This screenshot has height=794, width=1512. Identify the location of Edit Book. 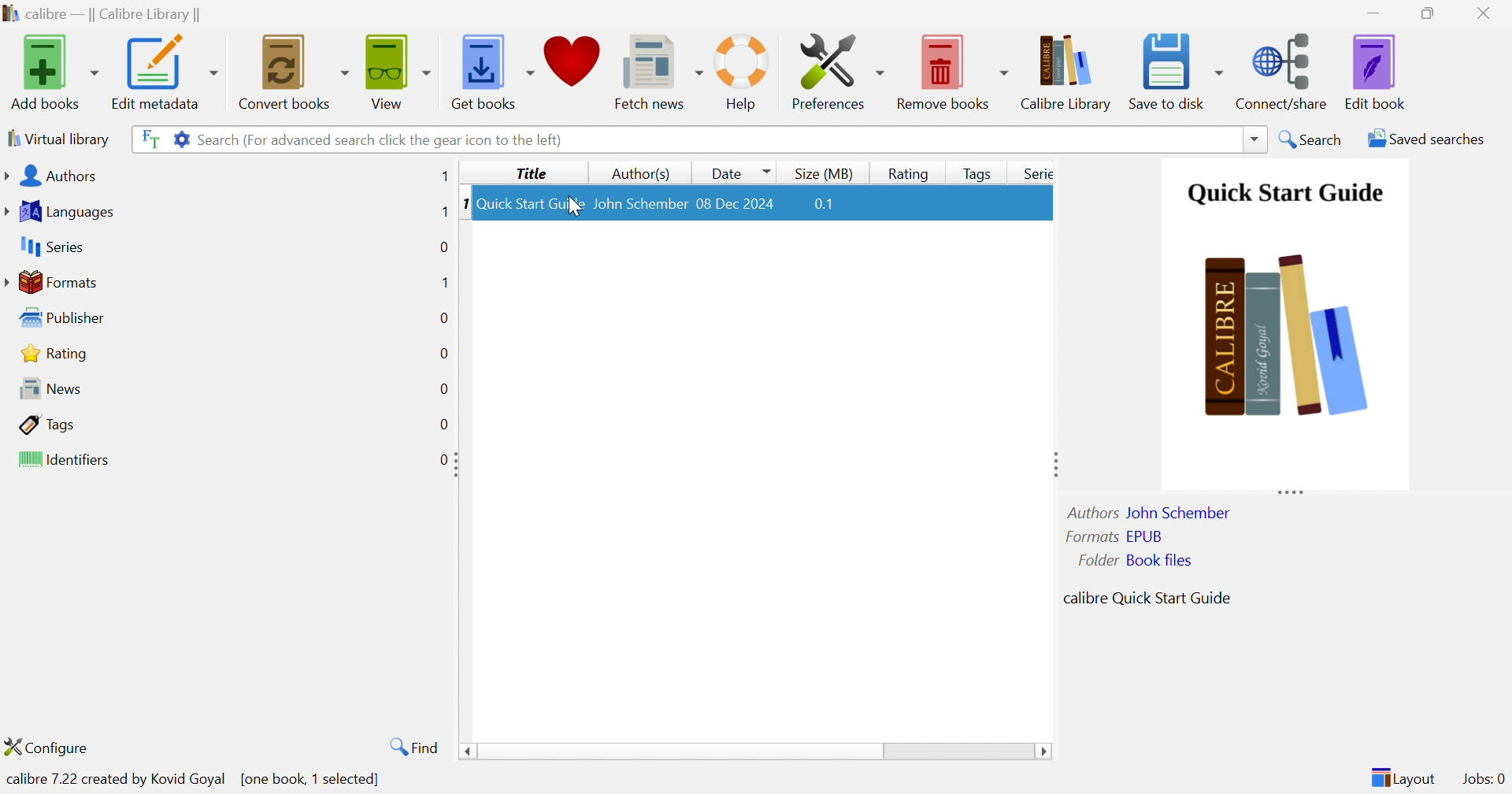
(1377, 71).